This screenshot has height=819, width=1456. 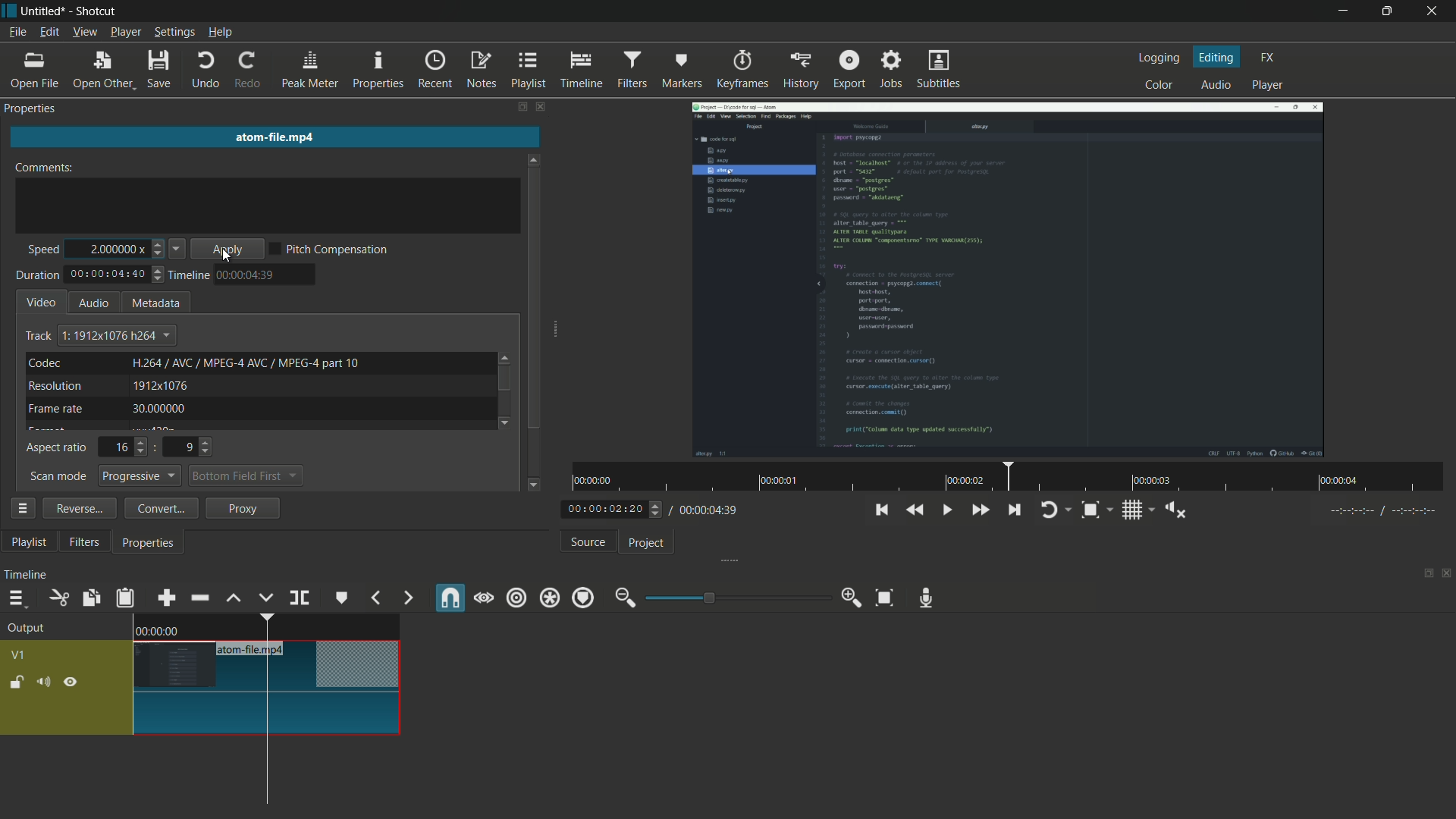 I want to click on change layout, so click(x=521, y=108).